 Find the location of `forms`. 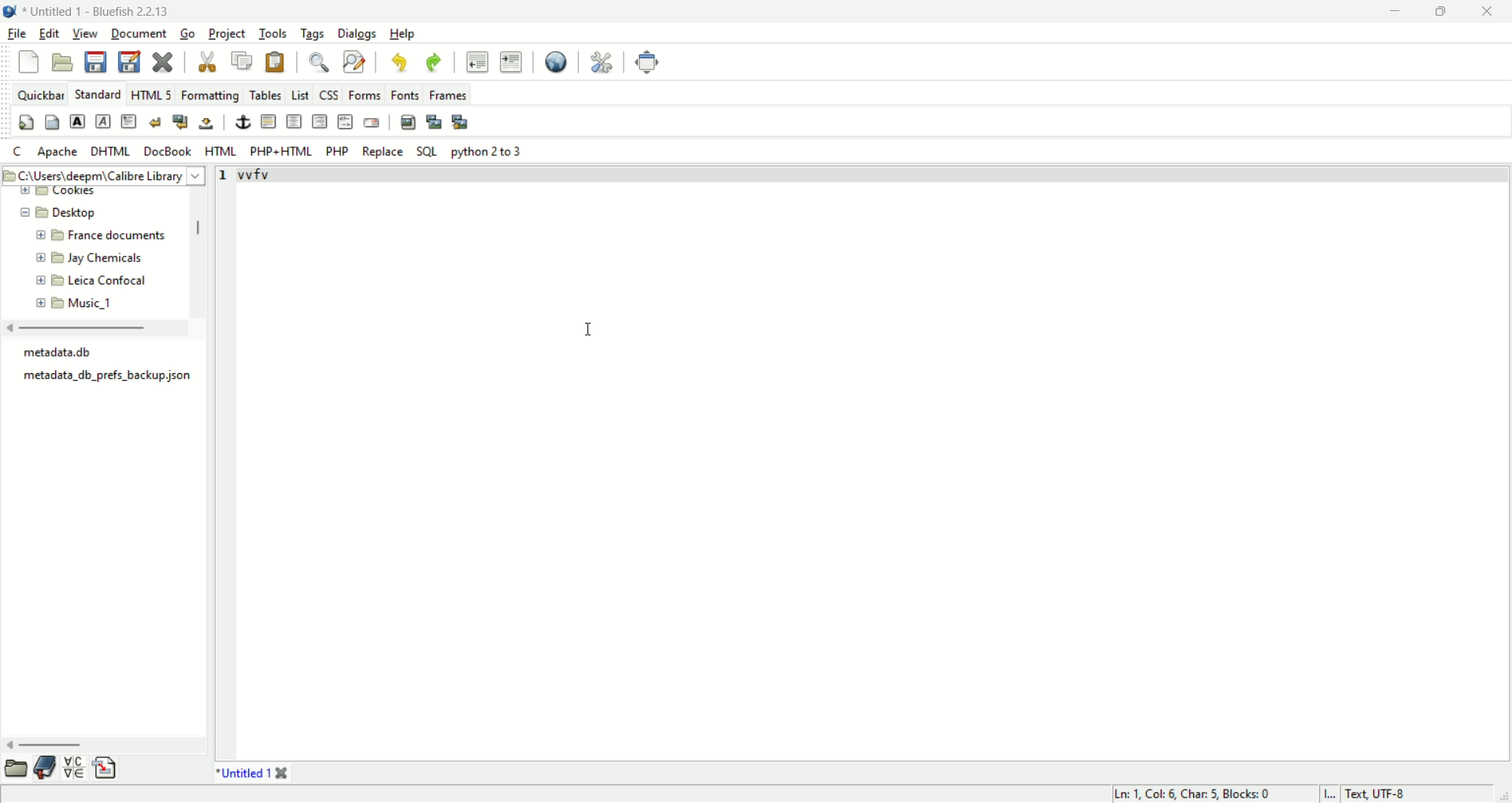

forms is located at coordinates (368, 94).